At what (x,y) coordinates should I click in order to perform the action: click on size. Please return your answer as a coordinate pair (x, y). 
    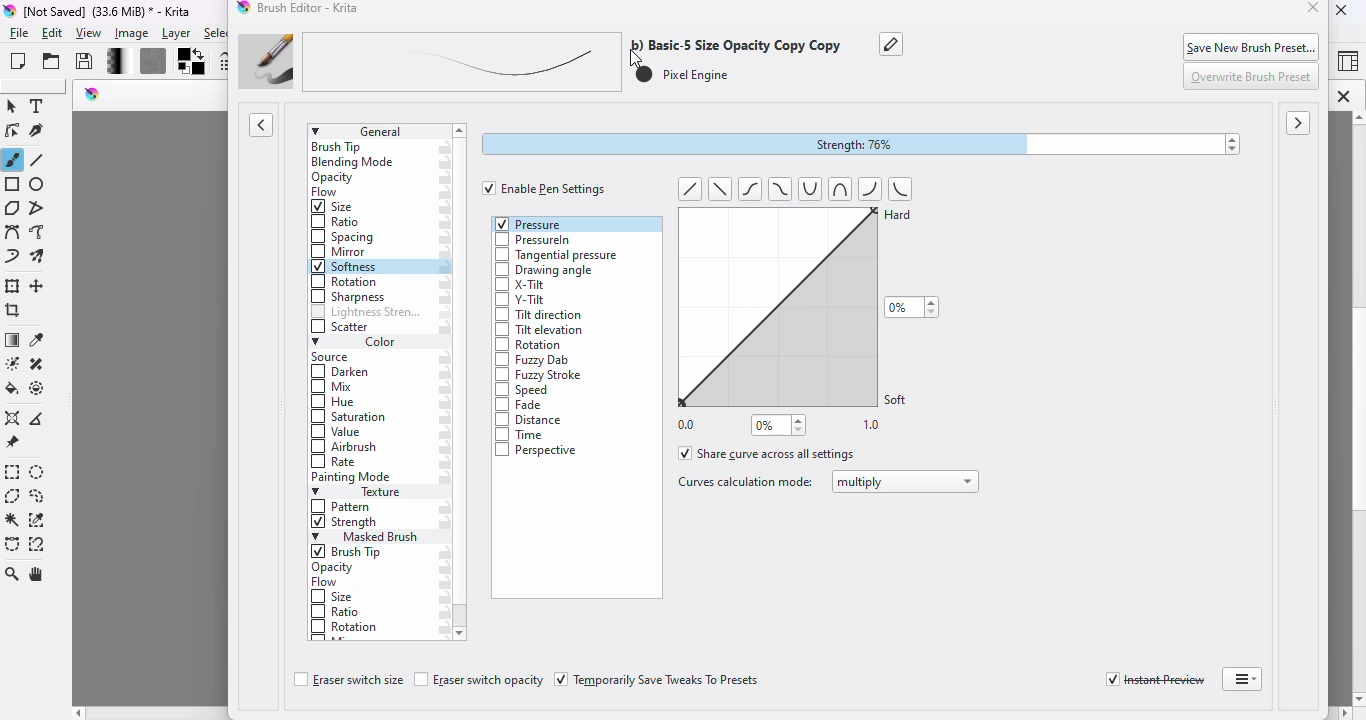
    Looking at the image, I should click on (334, 207).